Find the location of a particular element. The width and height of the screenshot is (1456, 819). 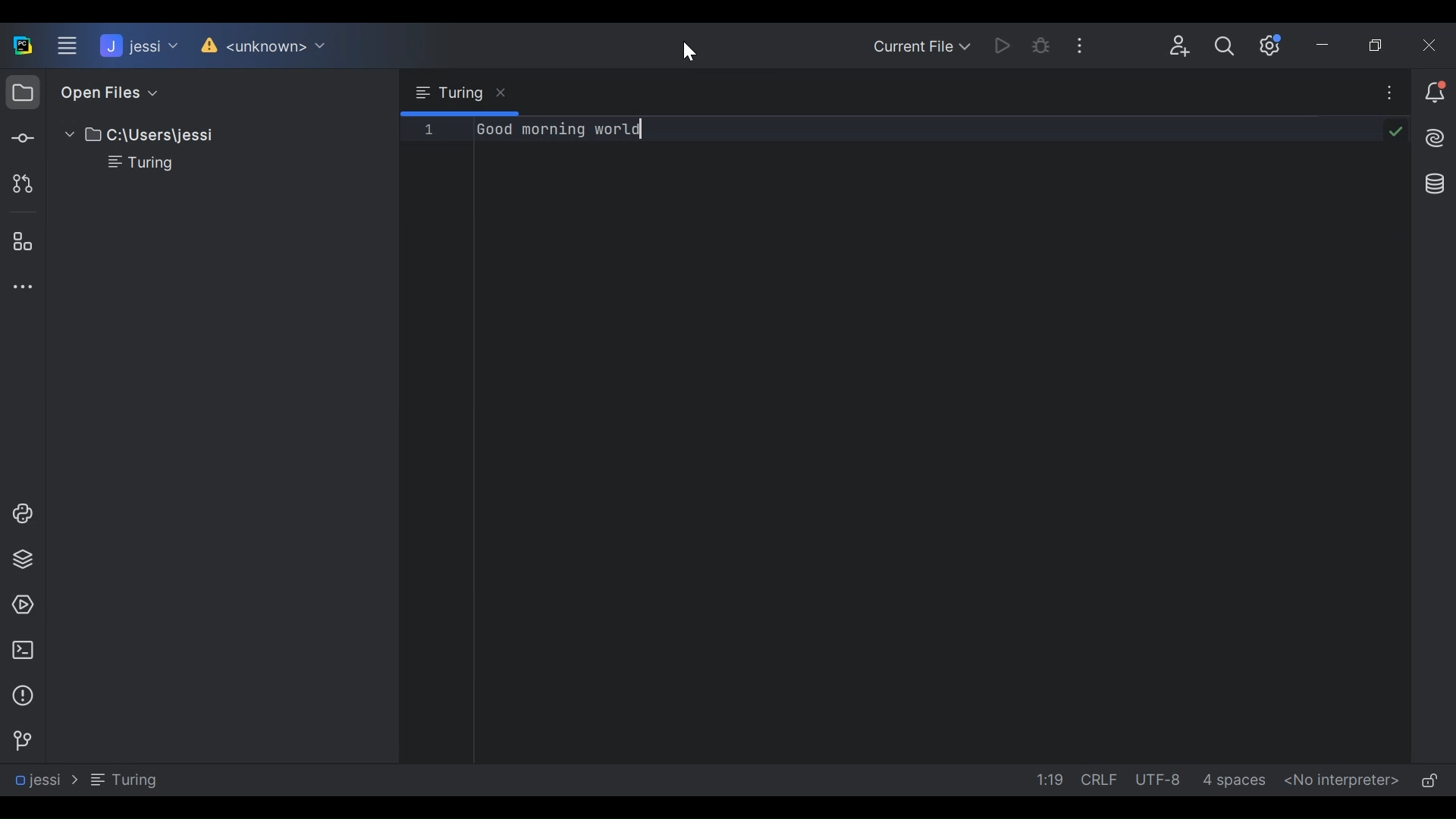

File is located at coordinates (131, 164).